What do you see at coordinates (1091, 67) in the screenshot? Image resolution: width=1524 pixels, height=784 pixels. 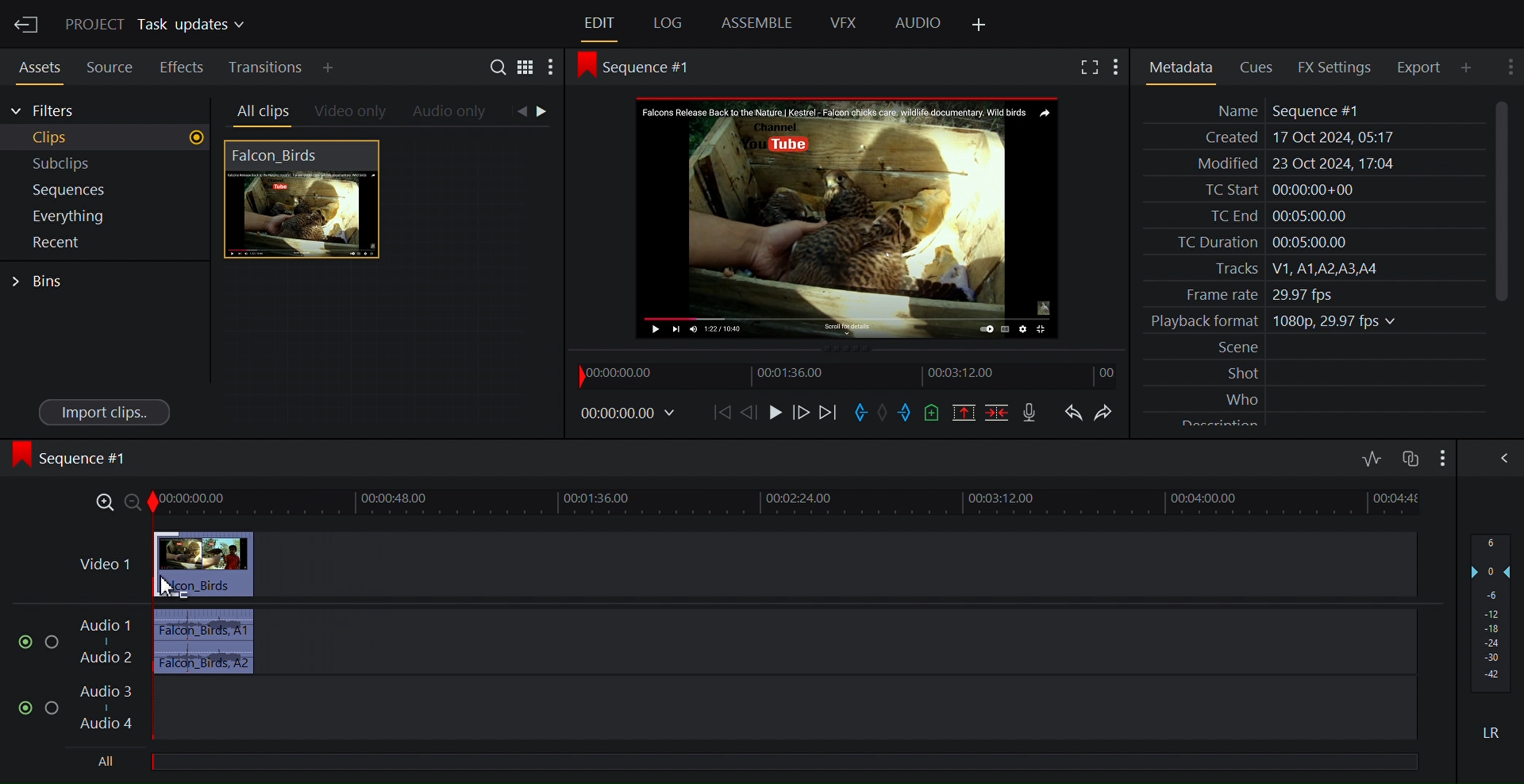 I see `Fullscreen` at bounding box center [1091, 67].